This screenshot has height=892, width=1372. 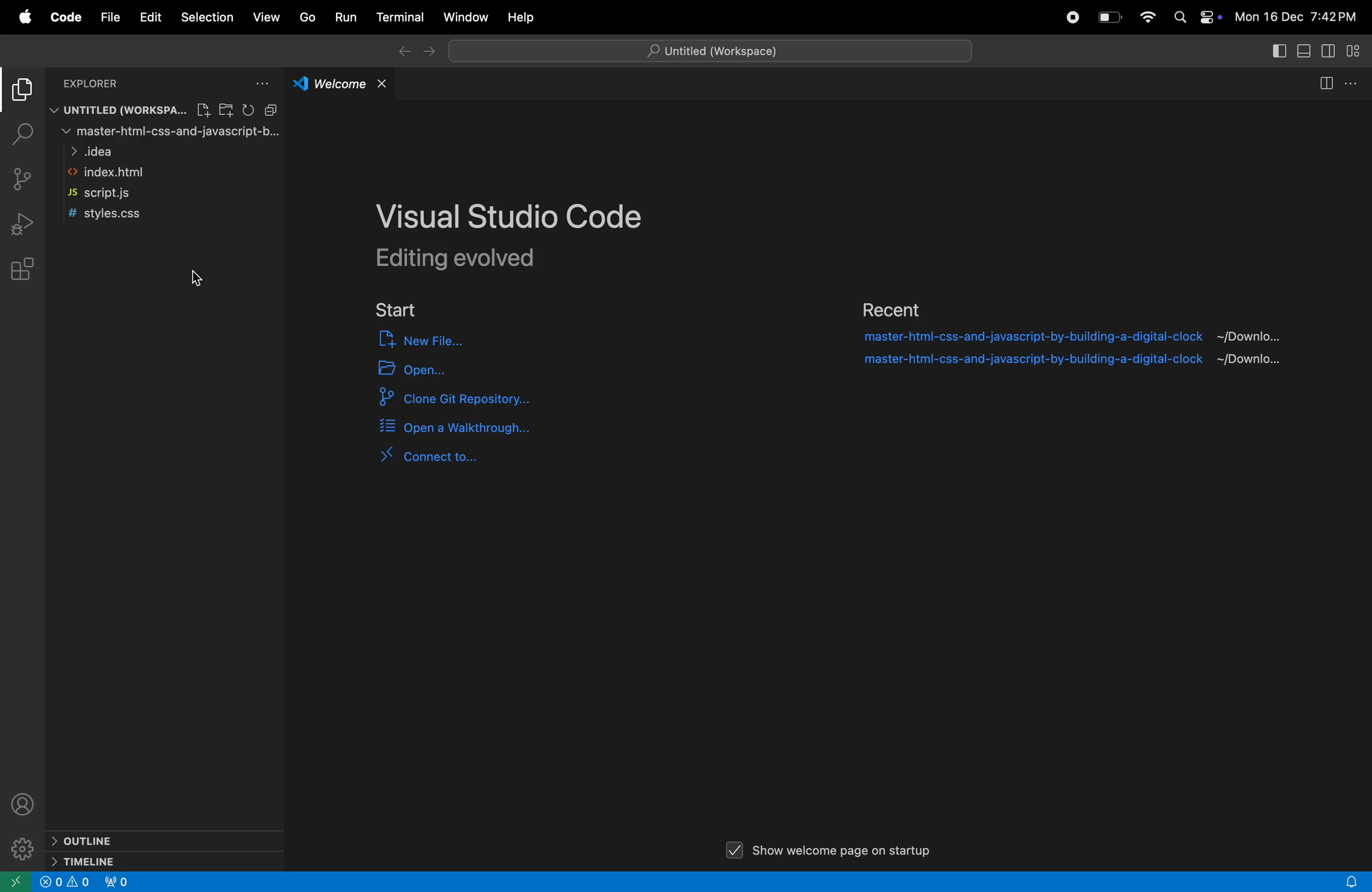 What do you see at coordinates (119, 110) in the screenshot?
I see `UNTITLED (WORKSPA...` at bounding box center [119, 110].